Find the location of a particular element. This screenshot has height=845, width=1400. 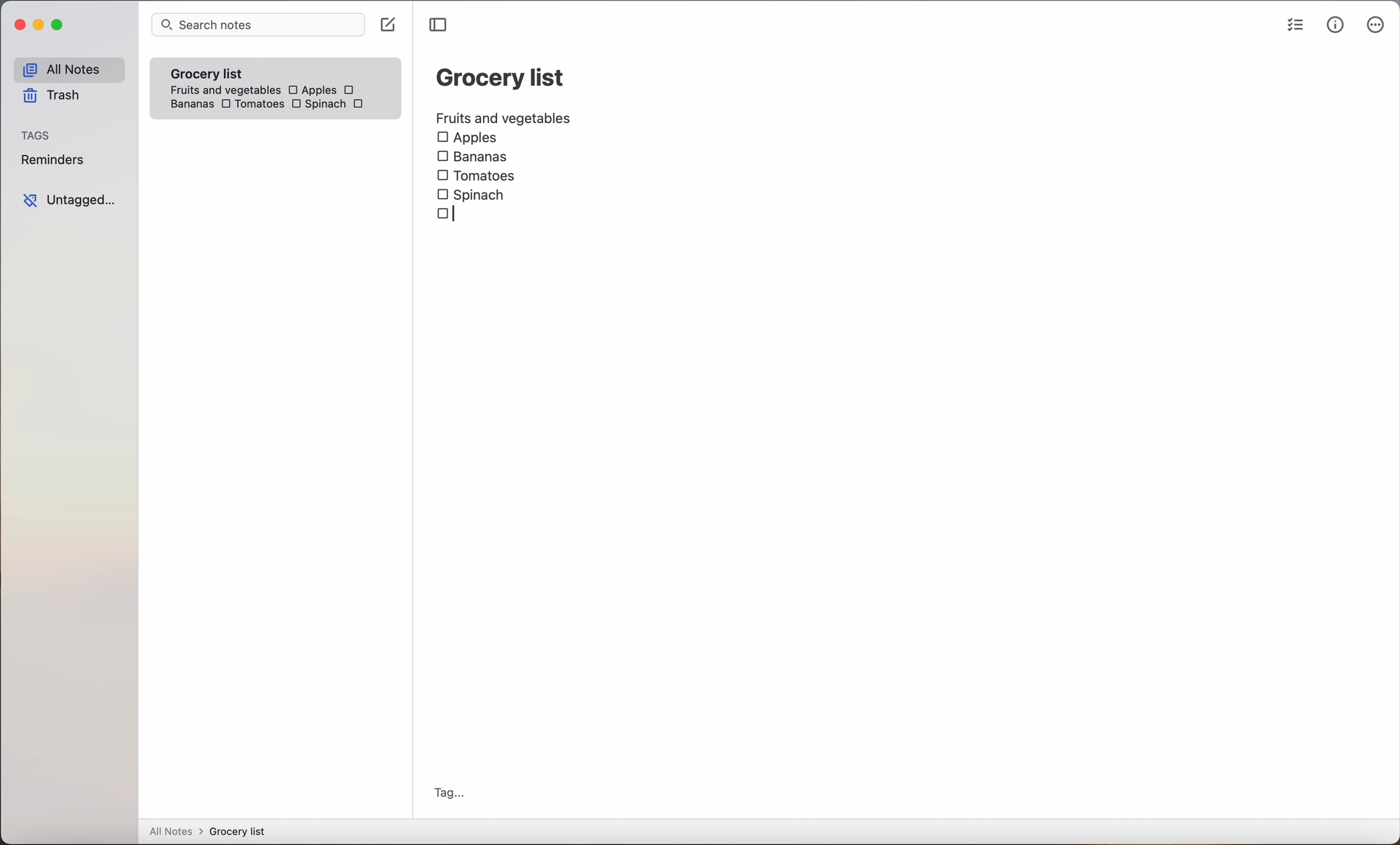

minimize Simplenote is located at coordinates (41, 27).